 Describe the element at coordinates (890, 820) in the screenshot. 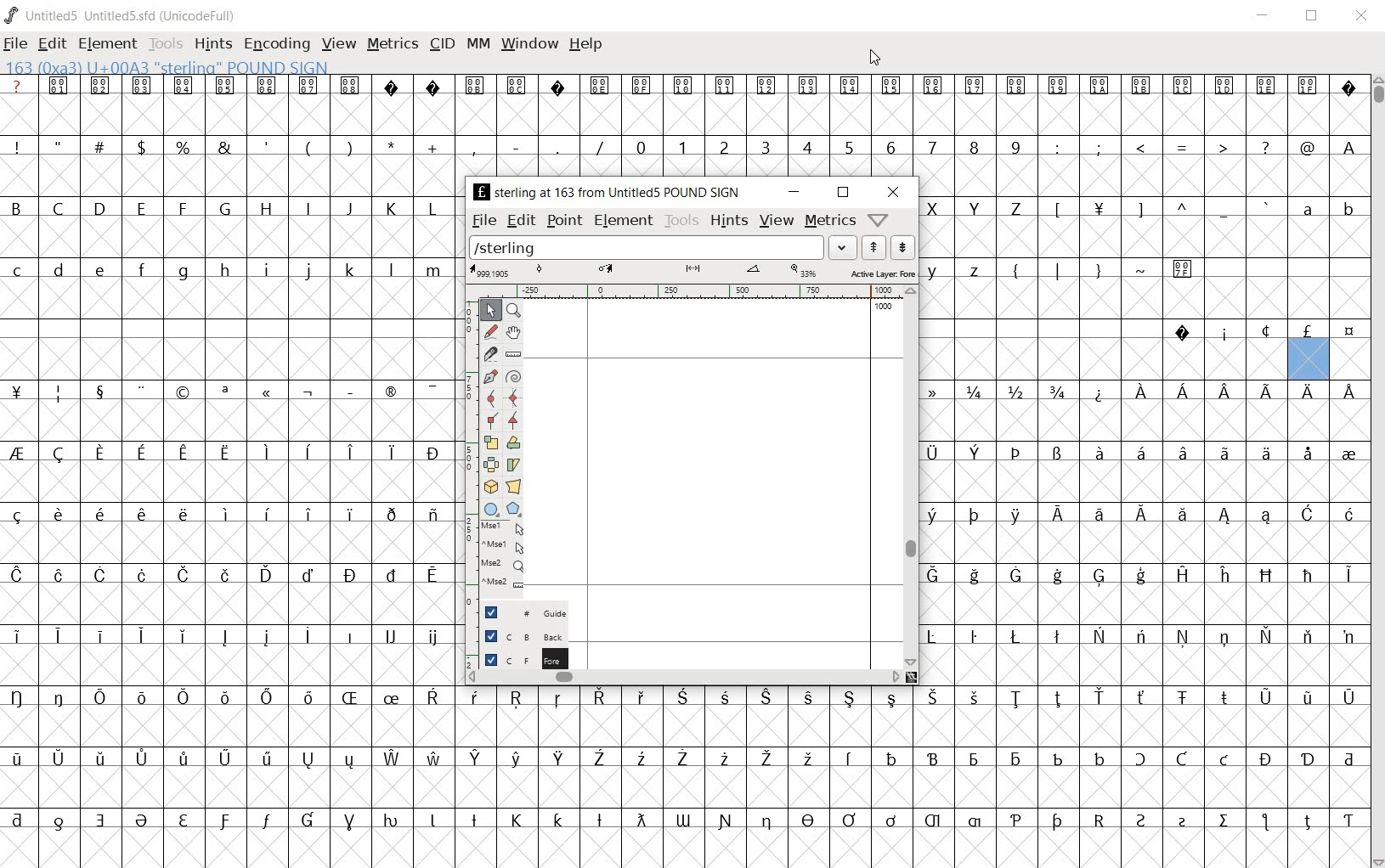

I see `Symbol` at that location.